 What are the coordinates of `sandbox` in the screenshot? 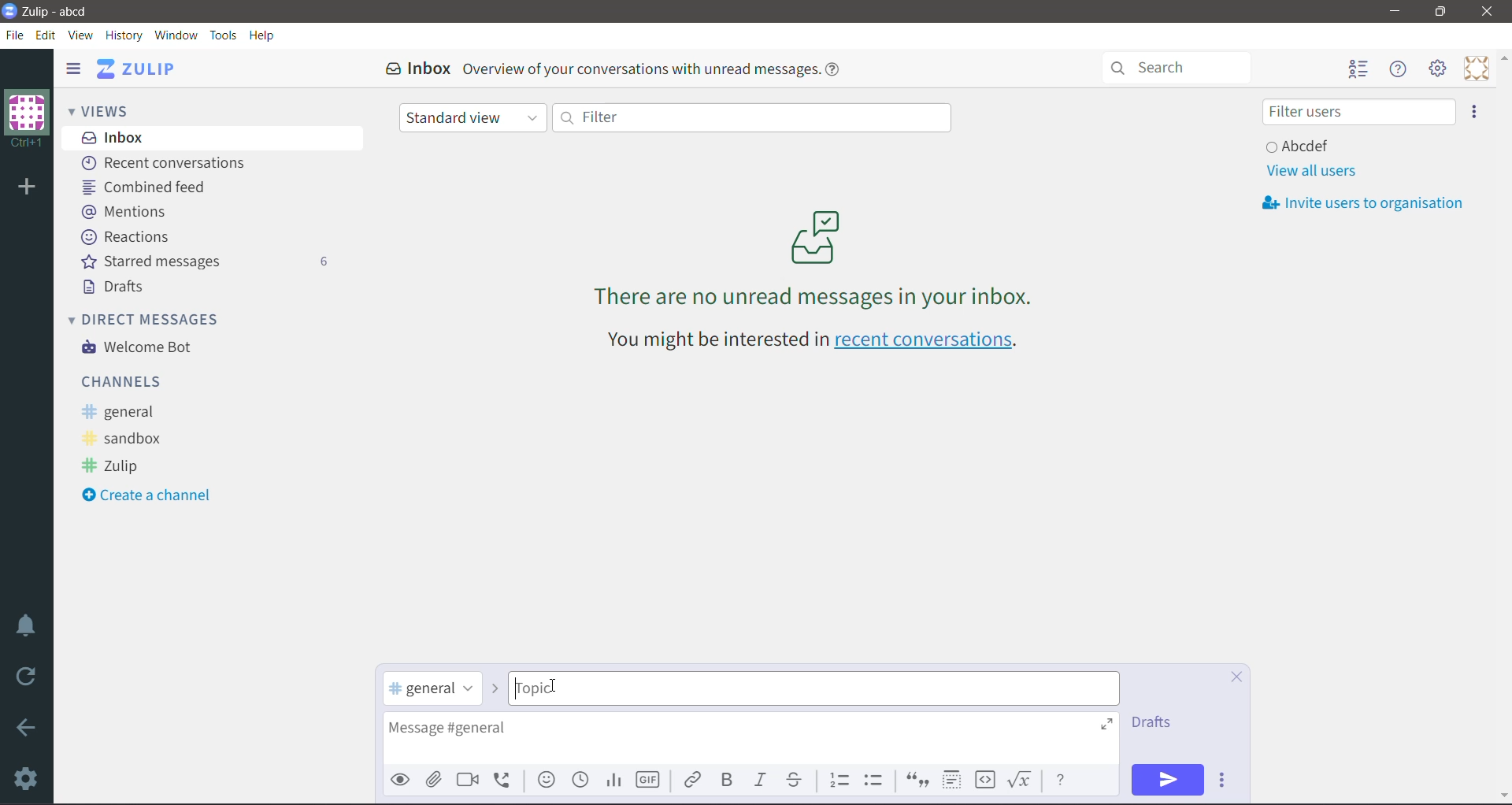 It's located at (128, 440).